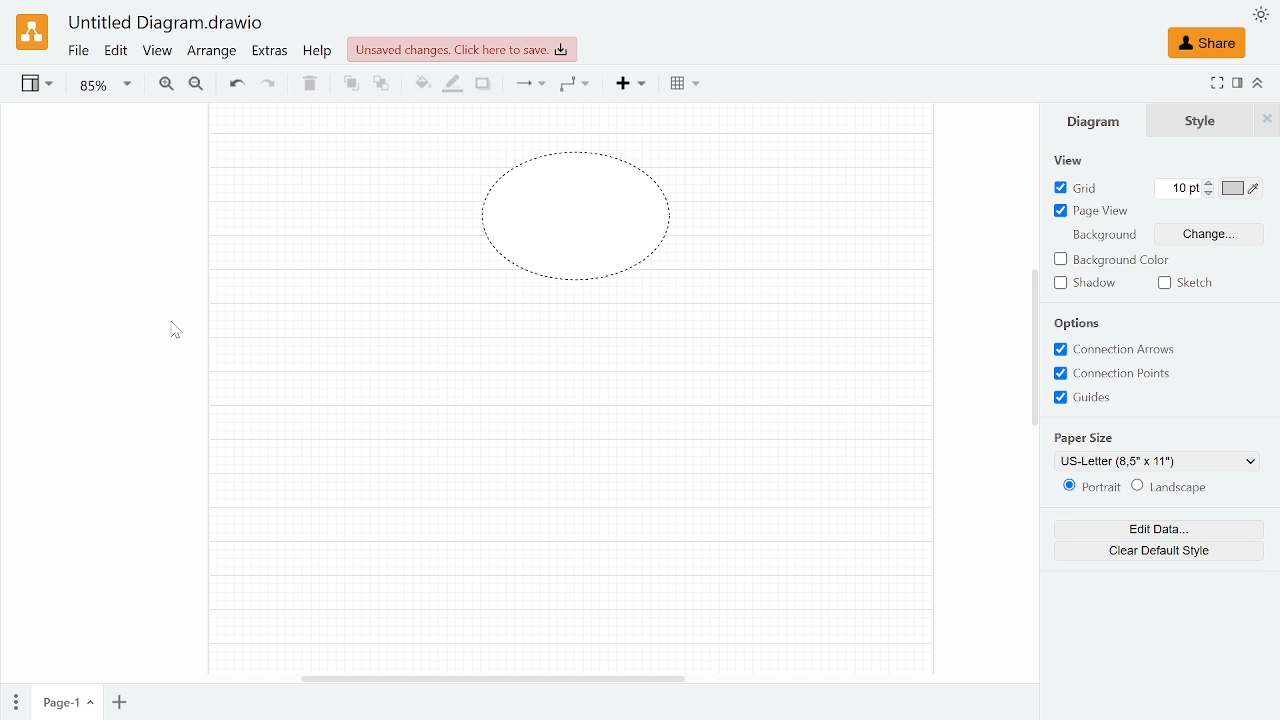 The height and width of the screenshot is (720, 1280). I want to click on Pointer, so click(178, 331).